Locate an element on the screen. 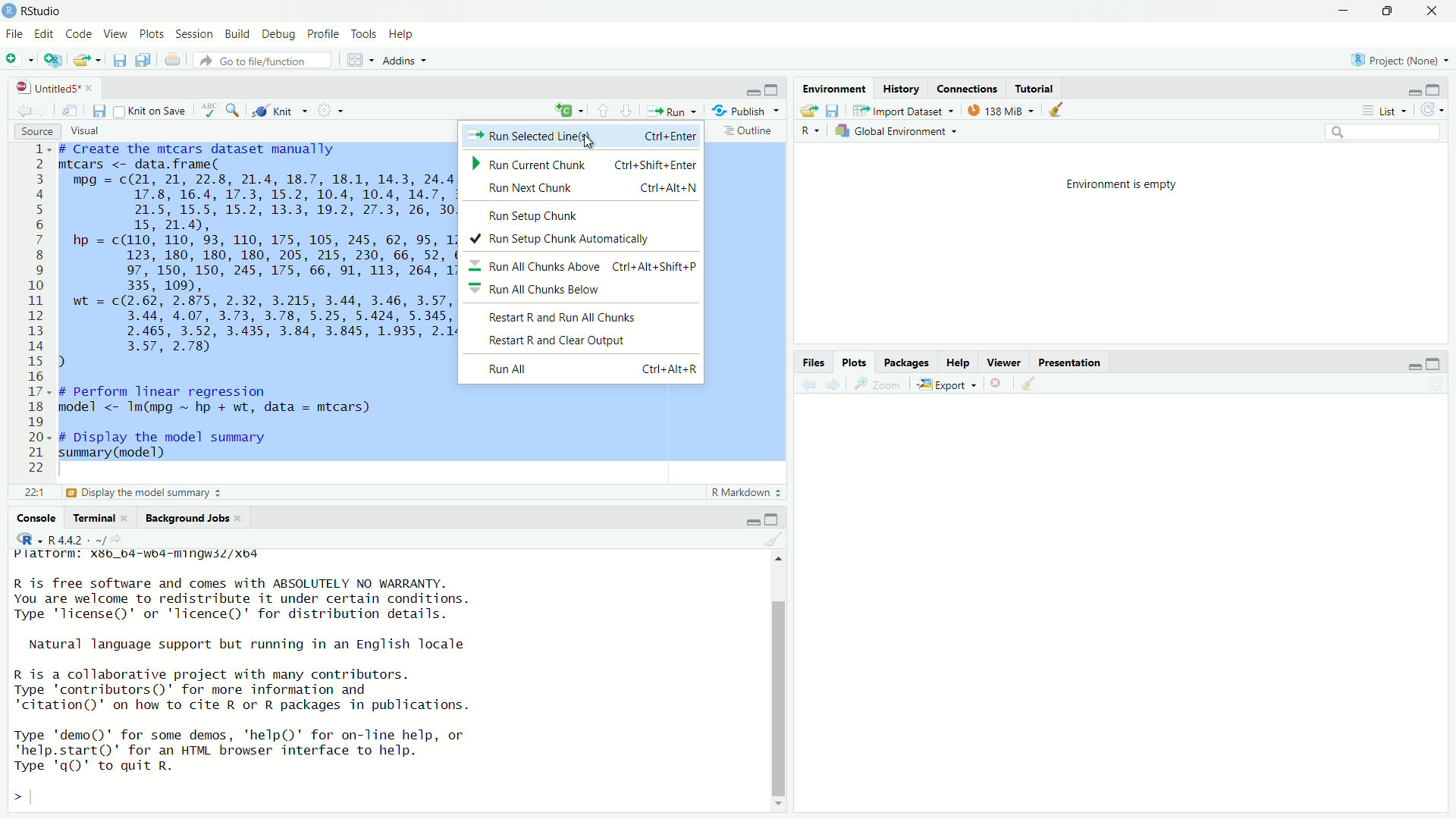  Run Selected Line(s) is located at coordinates (533, 137).